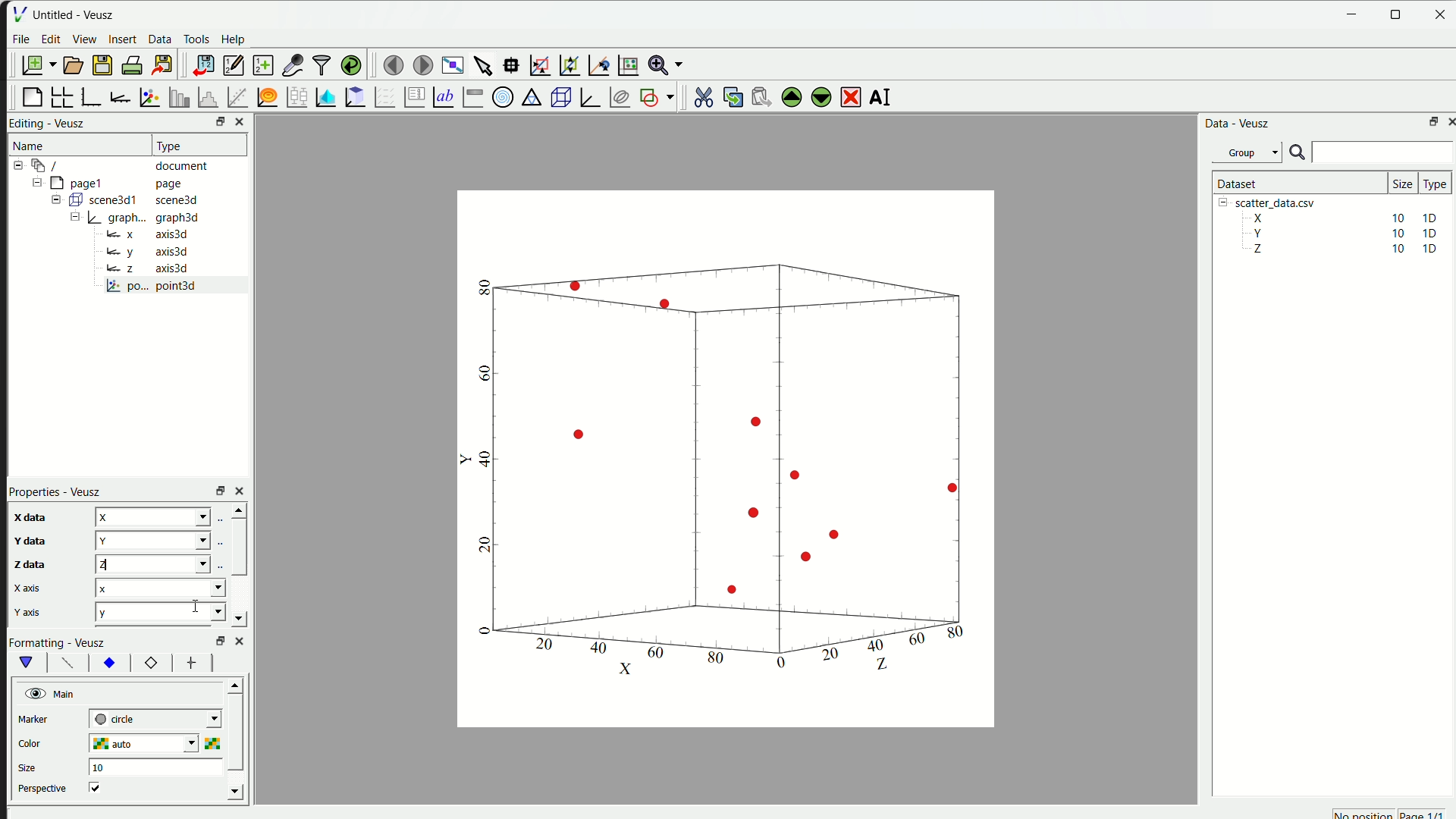 The width and height of the screenshot is (1456, 819). What do you see at coordinates (50, 39) in the screenshot?
I see `edit` at bounding box center [50, 39].